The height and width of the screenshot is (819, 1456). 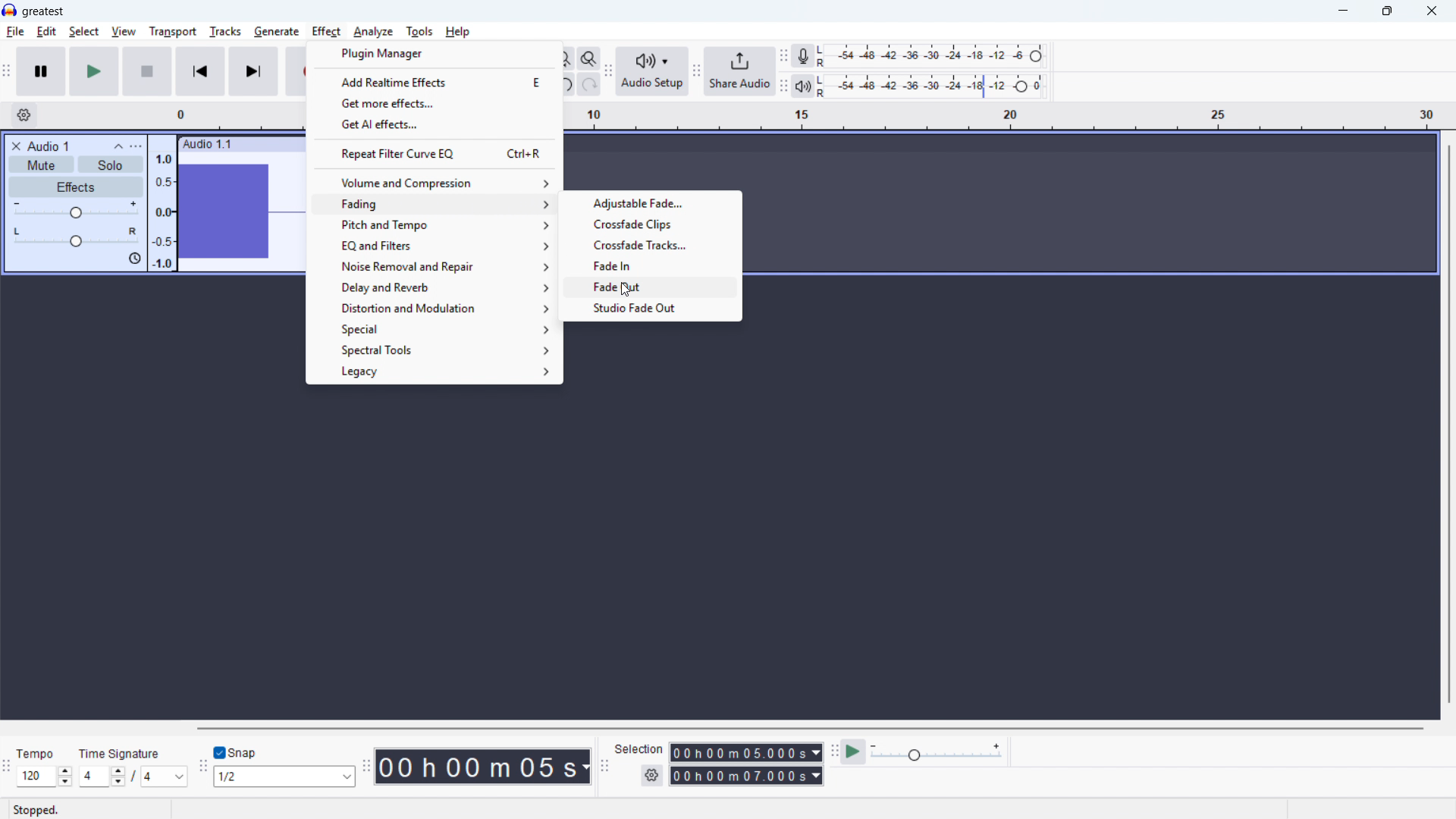 What do you see at coordinates (783, 57) in the screenshot?
I see `Recording metre toolbar ` at bounding box center [783, 57].